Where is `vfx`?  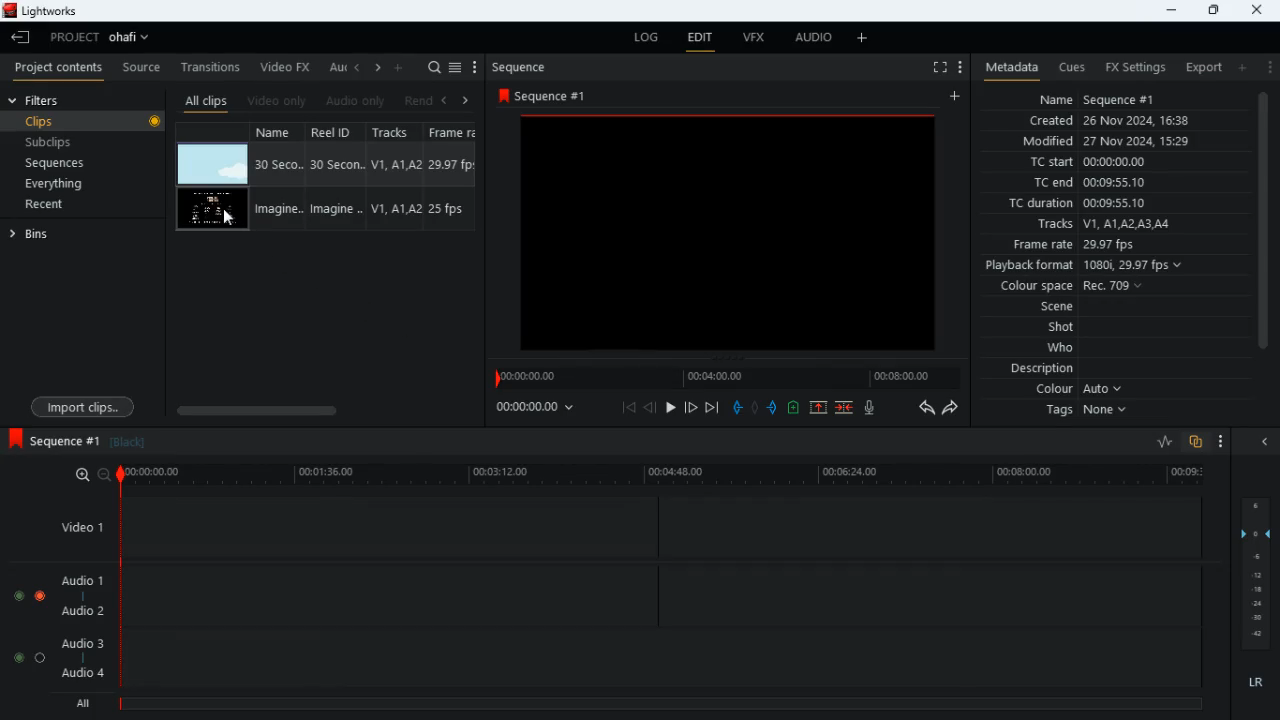
vfx is located at coordinates (752, 39).